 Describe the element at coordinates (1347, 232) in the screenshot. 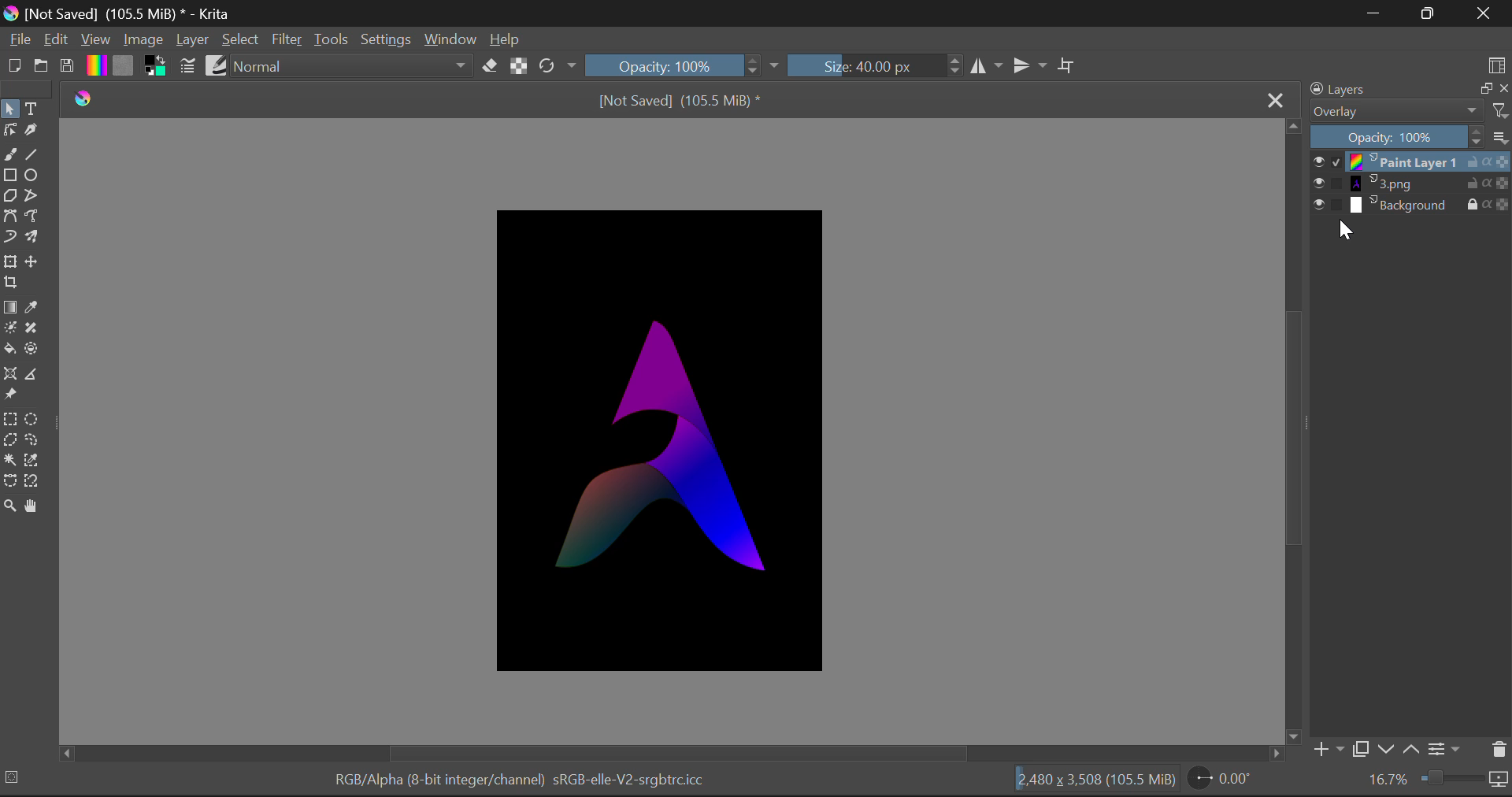

I see `Cursor` at that location.